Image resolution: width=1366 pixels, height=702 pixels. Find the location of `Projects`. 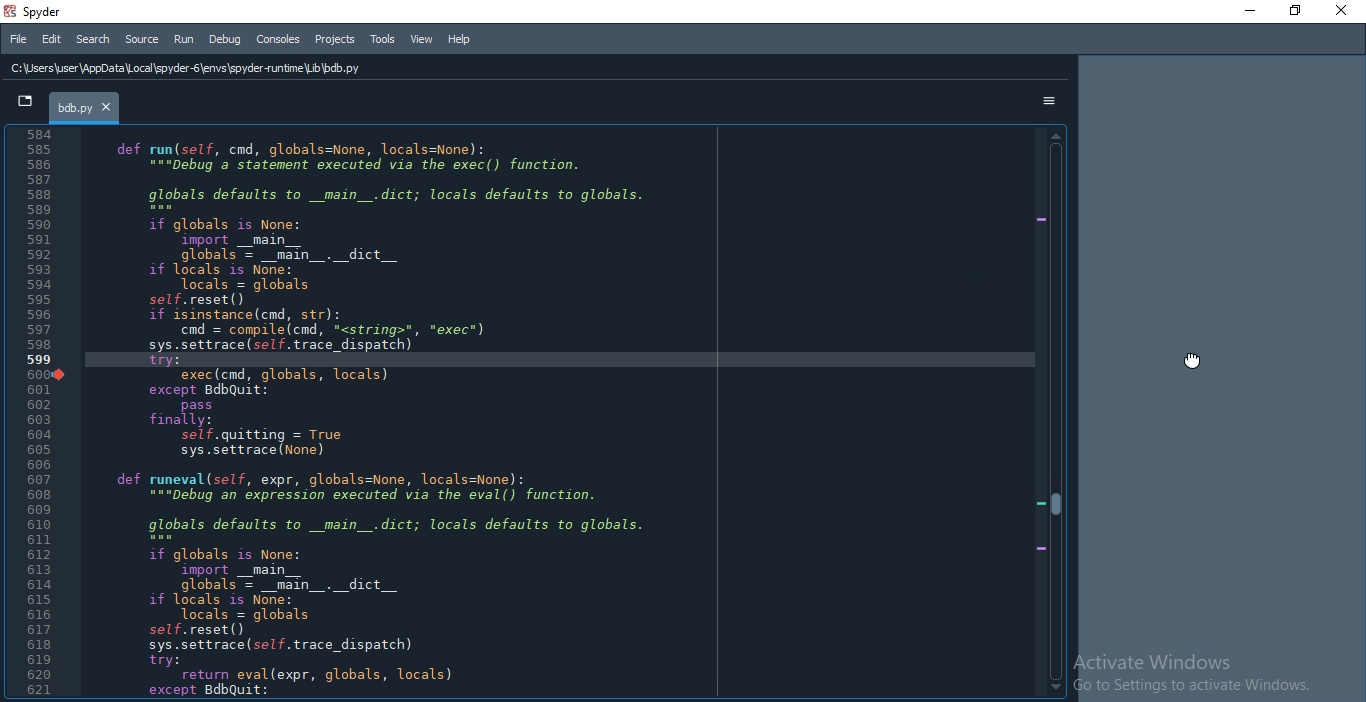

Projects is located at coordinates (335, 39).